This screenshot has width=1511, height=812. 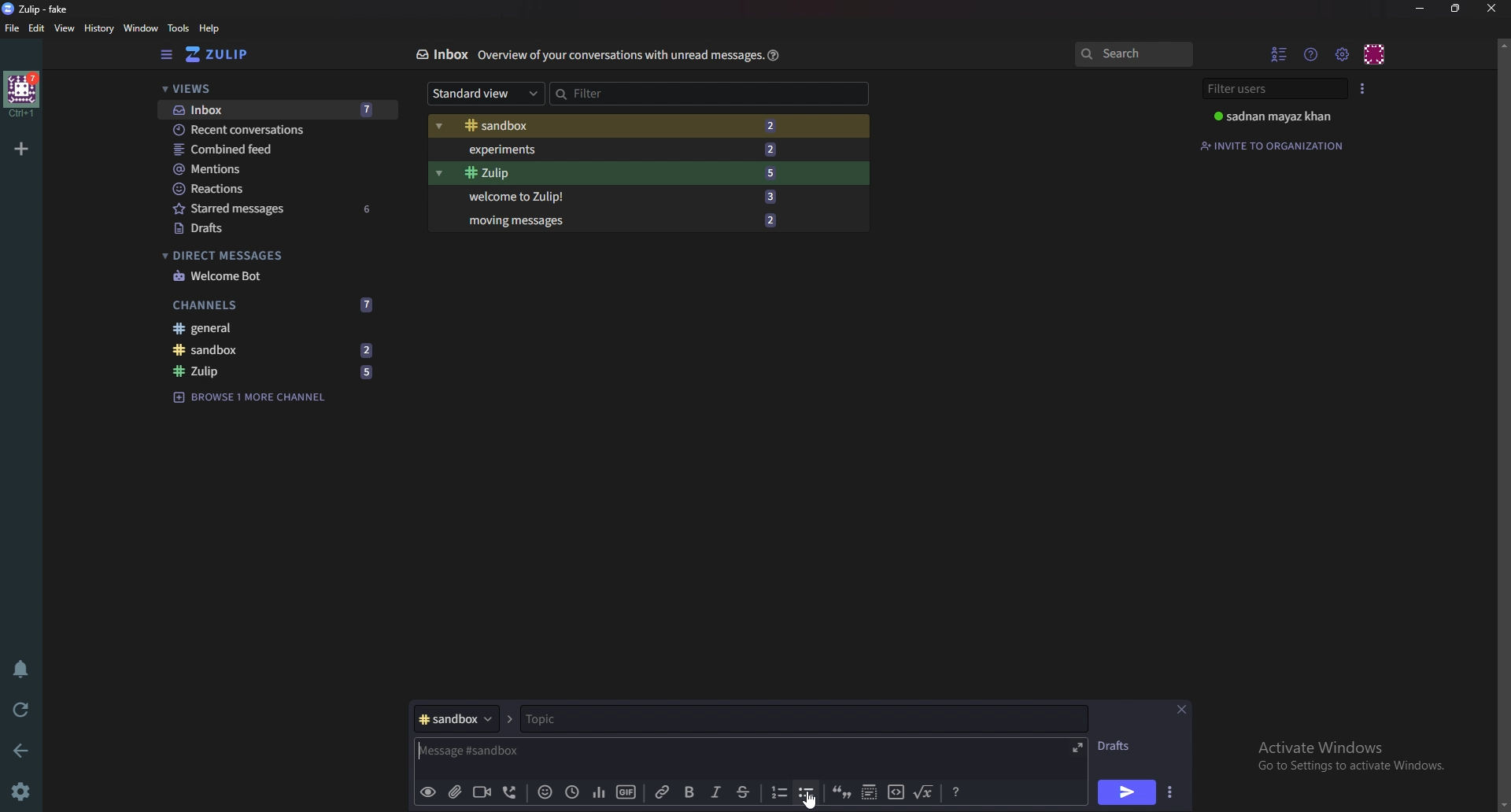 What do you see at coordinates (1312, 54) in the screenshot?
I see `Help menu` at bounding box center [1312, 54].